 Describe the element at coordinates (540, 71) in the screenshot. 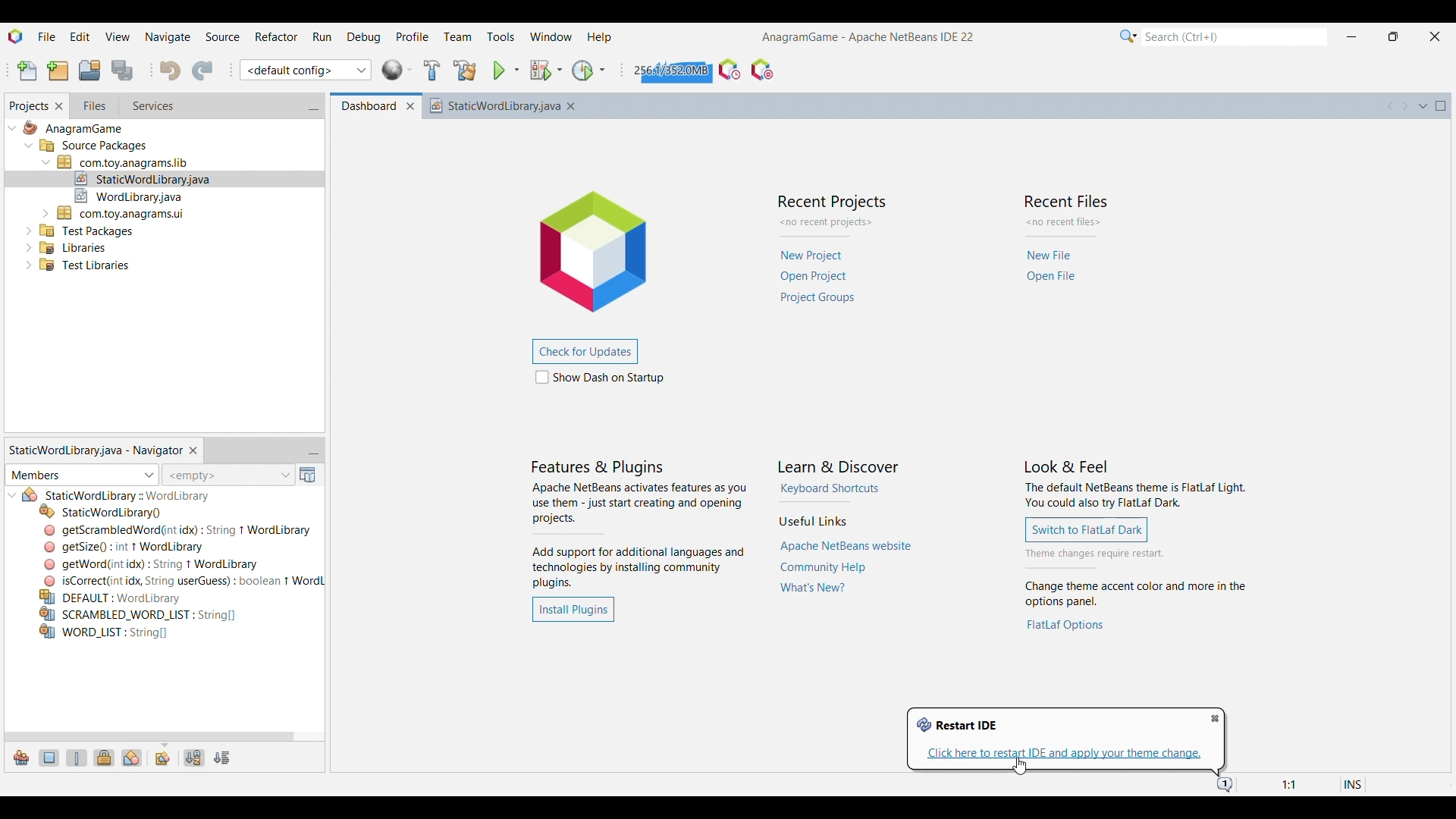

I see `Debug project selection` at that location.